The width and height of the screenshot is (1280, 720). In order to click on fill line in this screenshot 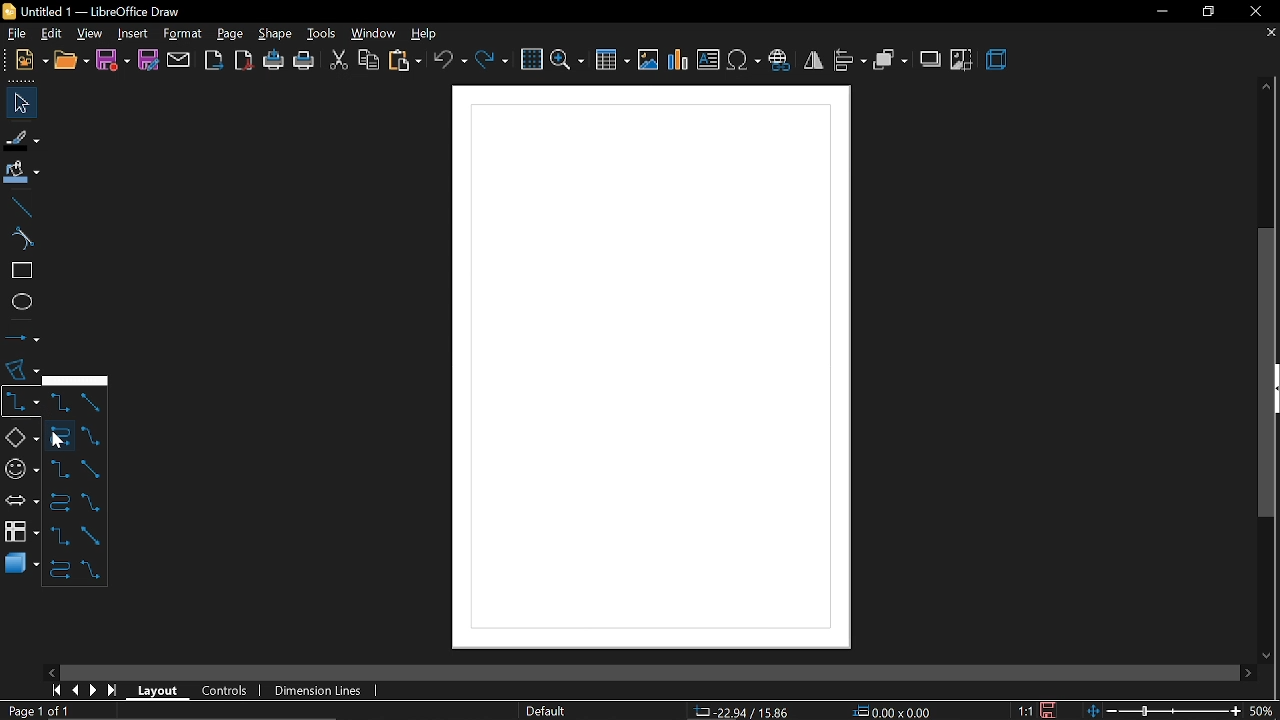, I will do `click(23, 138)`.